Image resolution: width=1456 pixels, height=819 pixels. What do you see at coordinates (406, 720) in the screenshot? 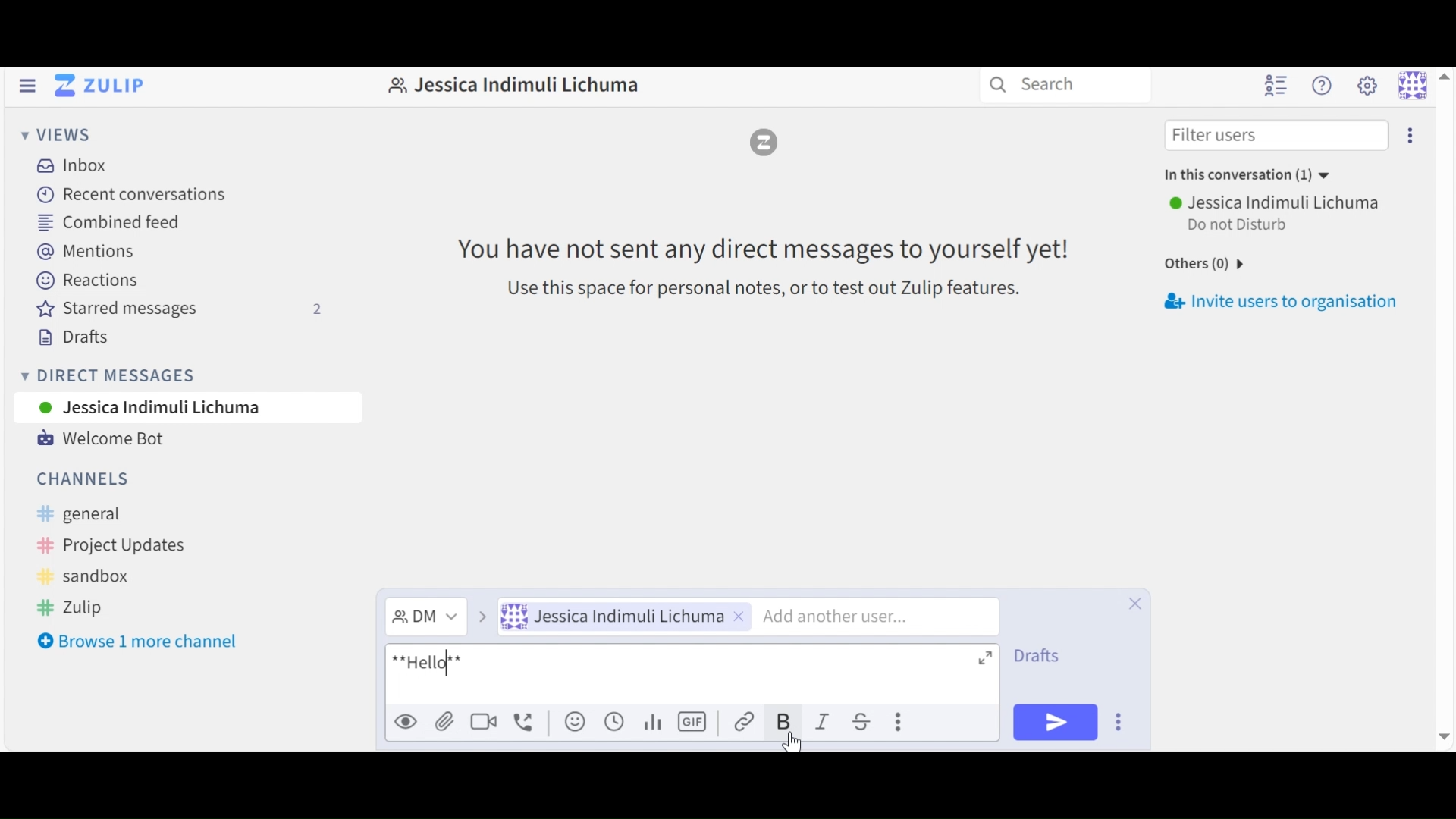
I see `Preview` at bounding box center [406, 720].